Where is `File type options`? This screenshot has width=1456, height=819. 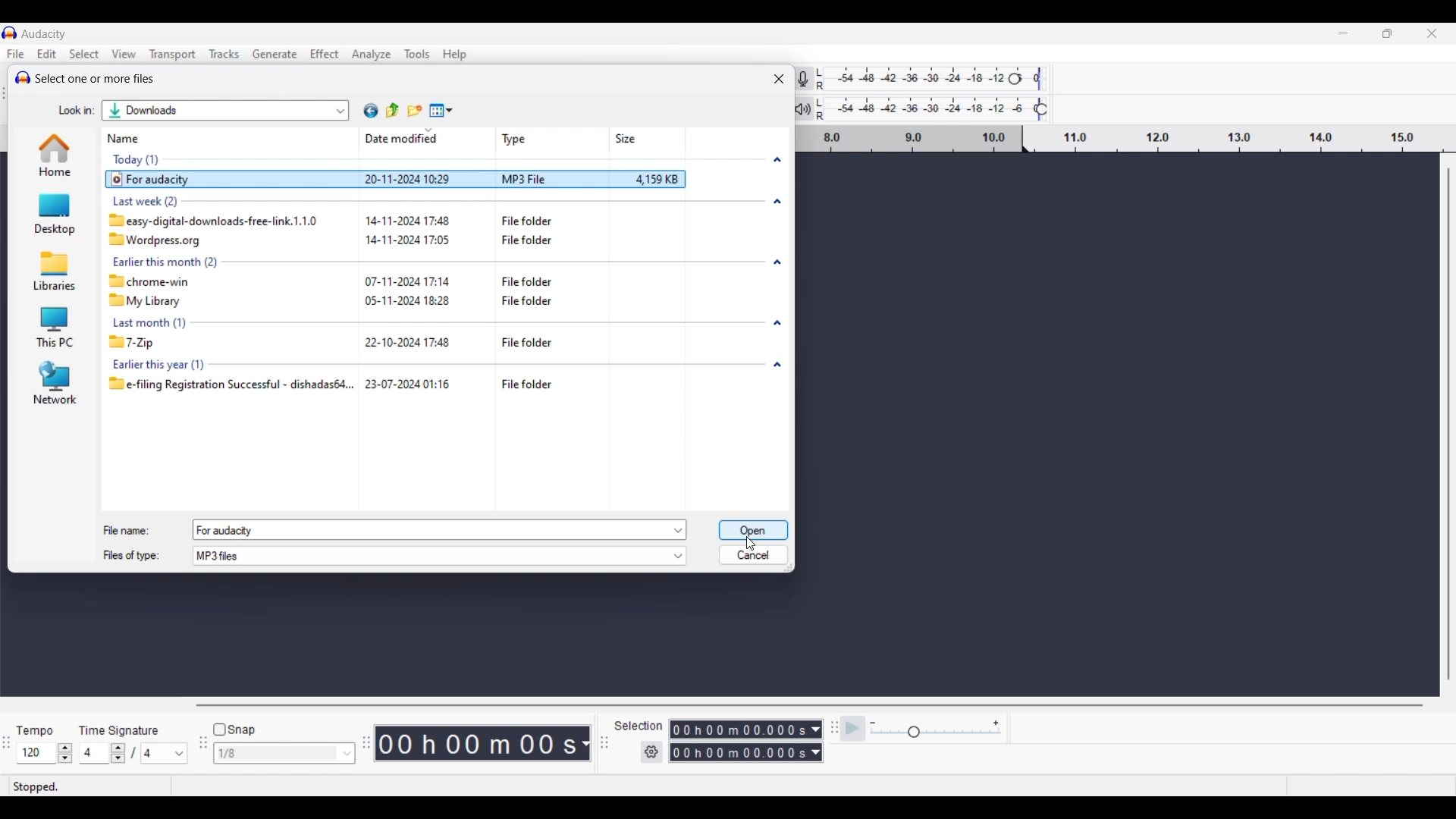 File type options is located at coordinates (678, 557).